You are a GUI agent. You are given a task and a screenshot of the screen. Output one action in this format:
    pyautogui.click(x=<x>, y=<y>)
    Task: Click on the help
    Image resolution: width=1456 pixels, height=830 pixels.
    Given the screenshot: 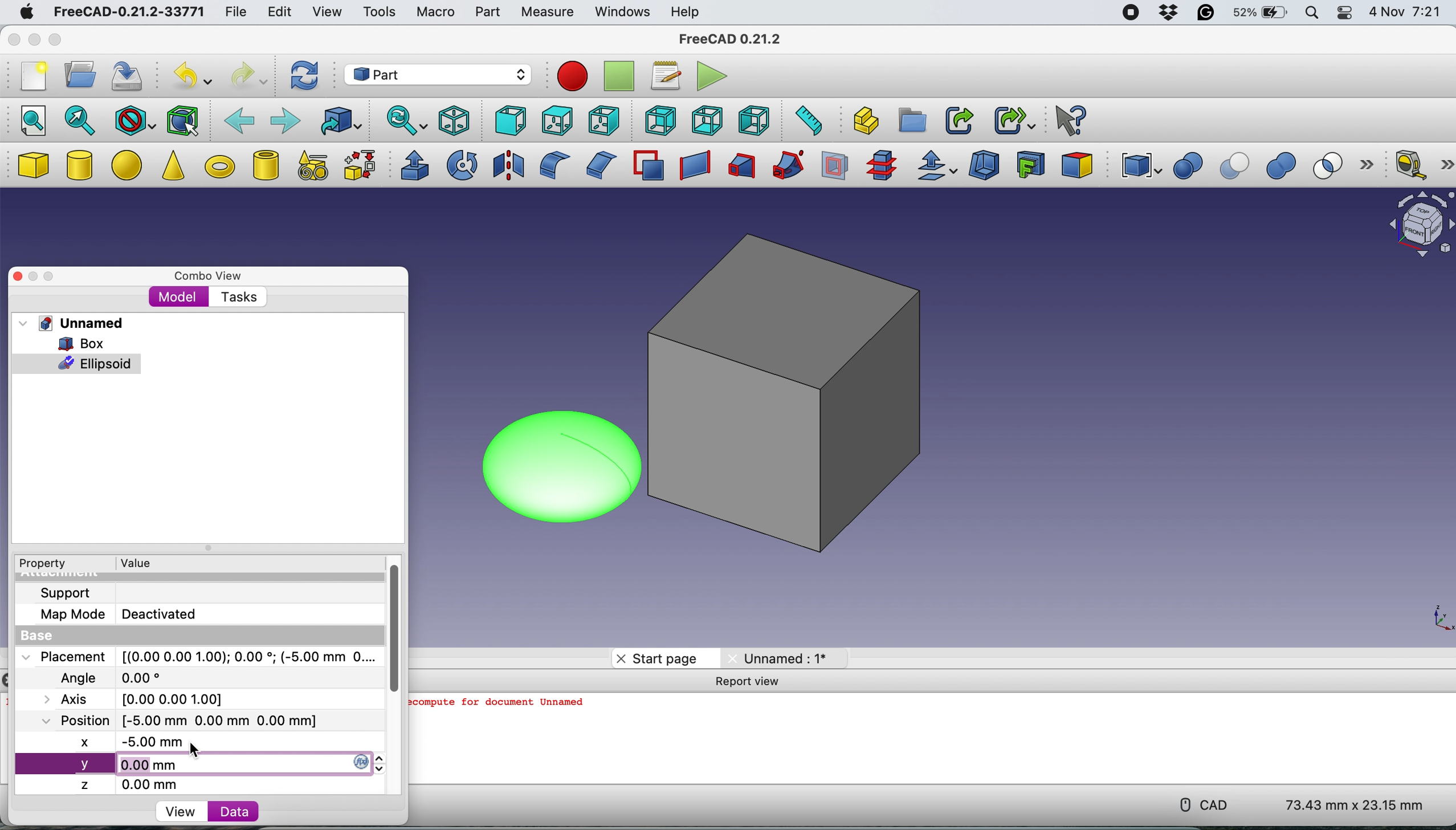 What is the action you would take?
    pyautogui.click(x=683, y=11)
    